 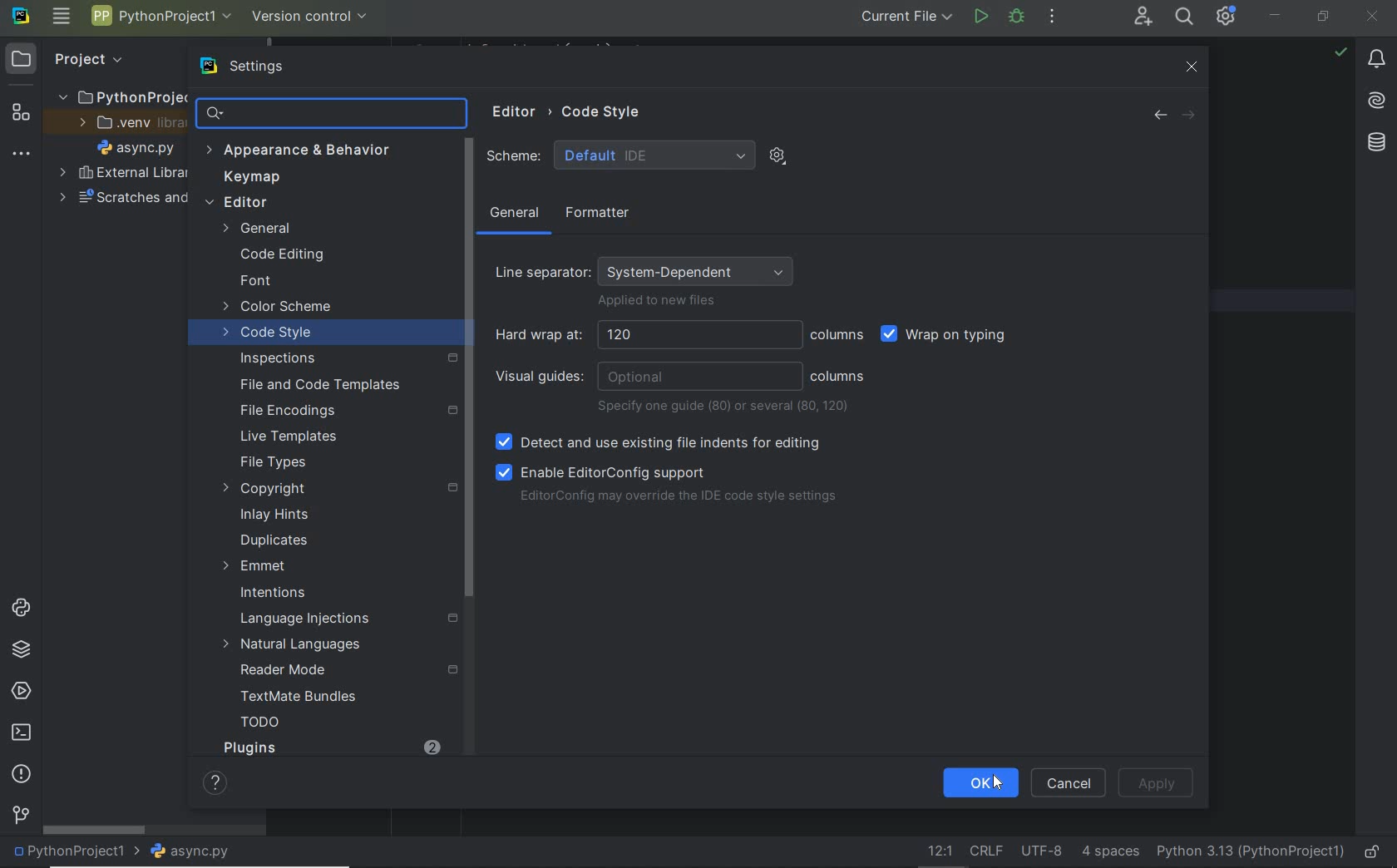 I want to click on File and Code Templates, so click(x=313, y=384).